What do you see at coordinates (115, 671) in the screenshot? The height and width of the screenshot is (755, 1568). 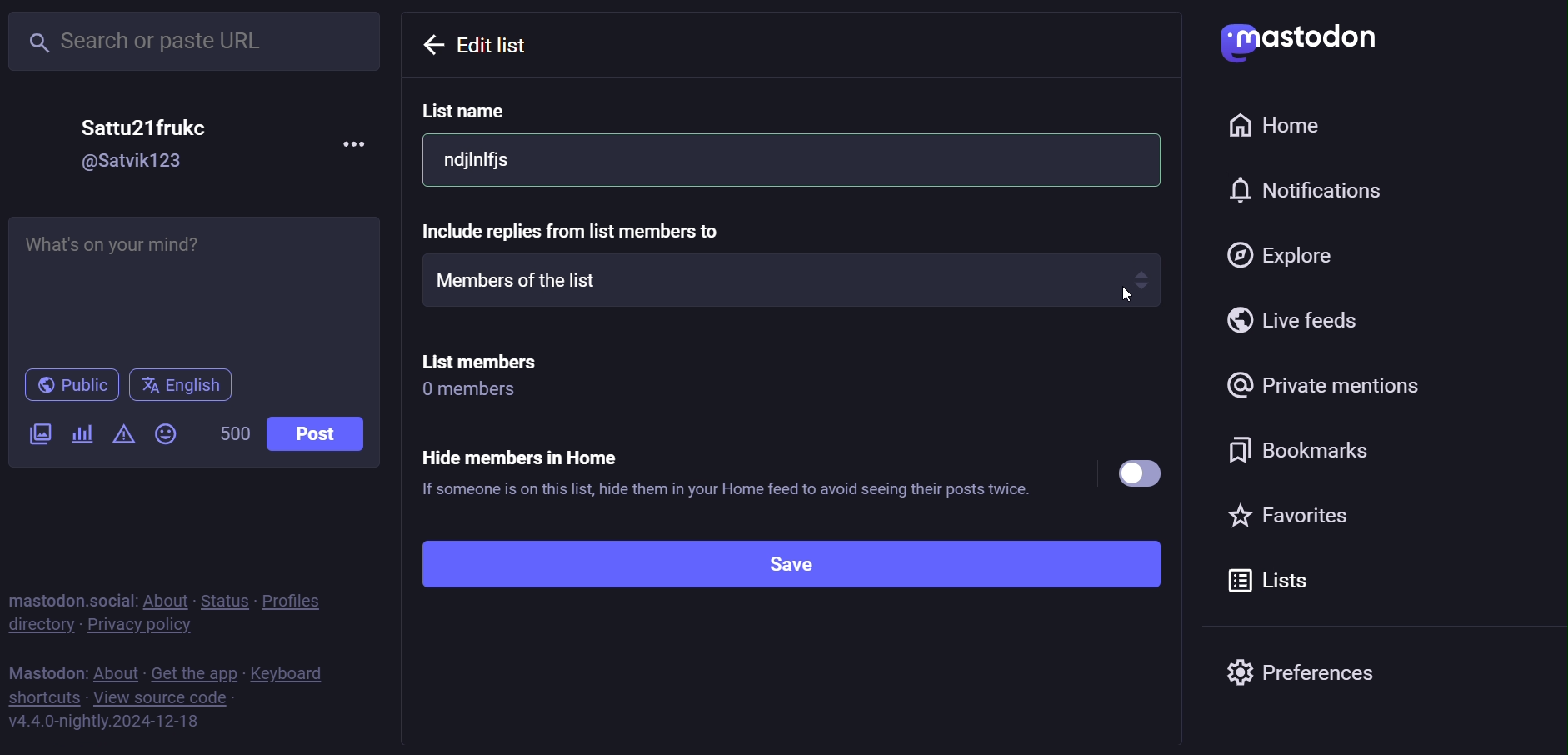 I see `about` at bounding box center [115, 671].